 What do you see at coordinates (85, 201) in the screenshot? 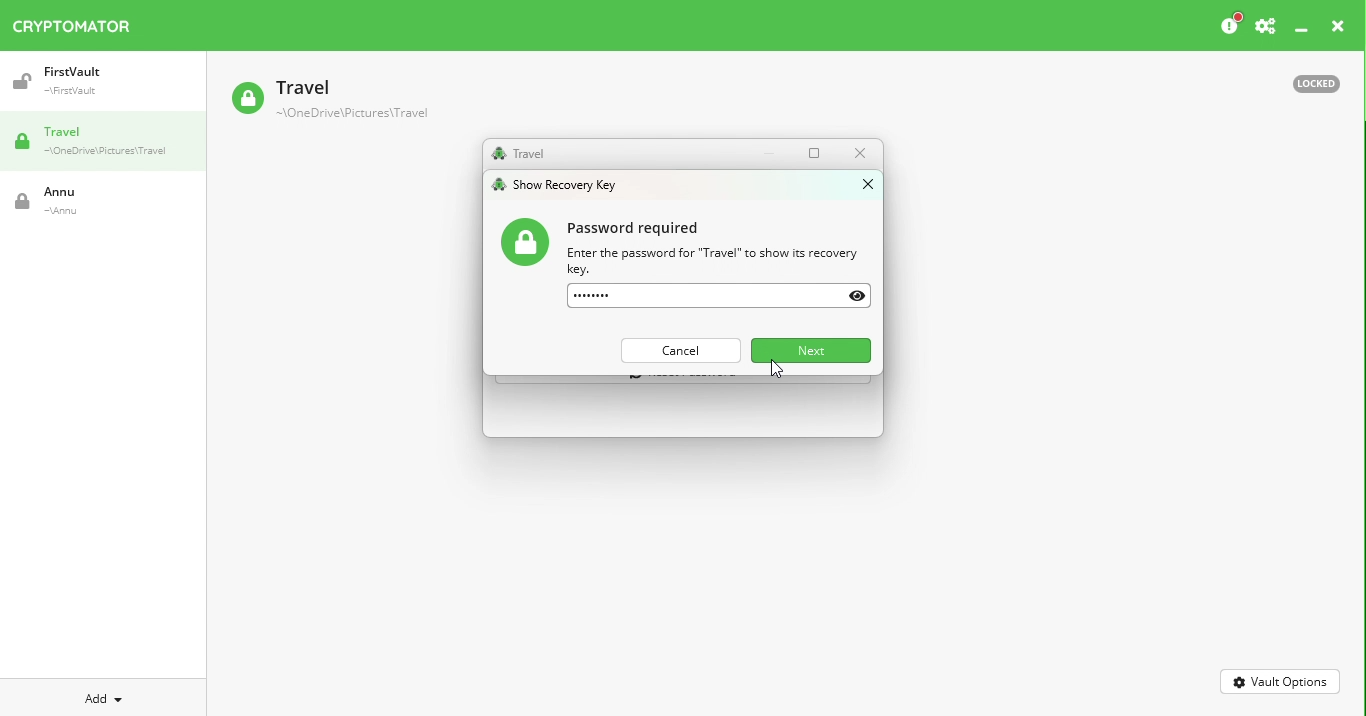
I see `Vault` at bounding box center [85, 201].